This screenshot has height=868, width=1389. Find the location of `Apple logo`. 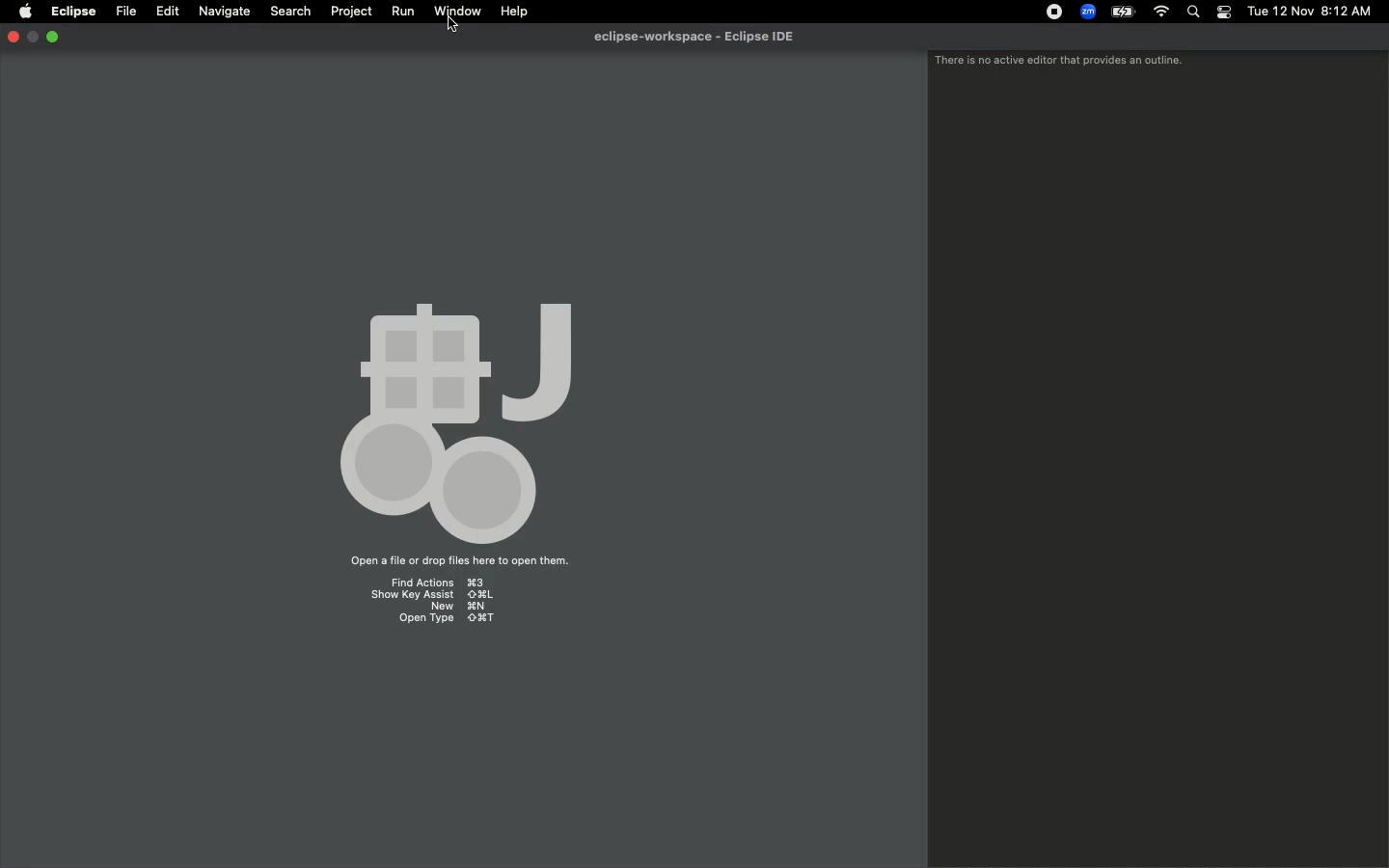

Apple logo is located at coordinates (24, 13).